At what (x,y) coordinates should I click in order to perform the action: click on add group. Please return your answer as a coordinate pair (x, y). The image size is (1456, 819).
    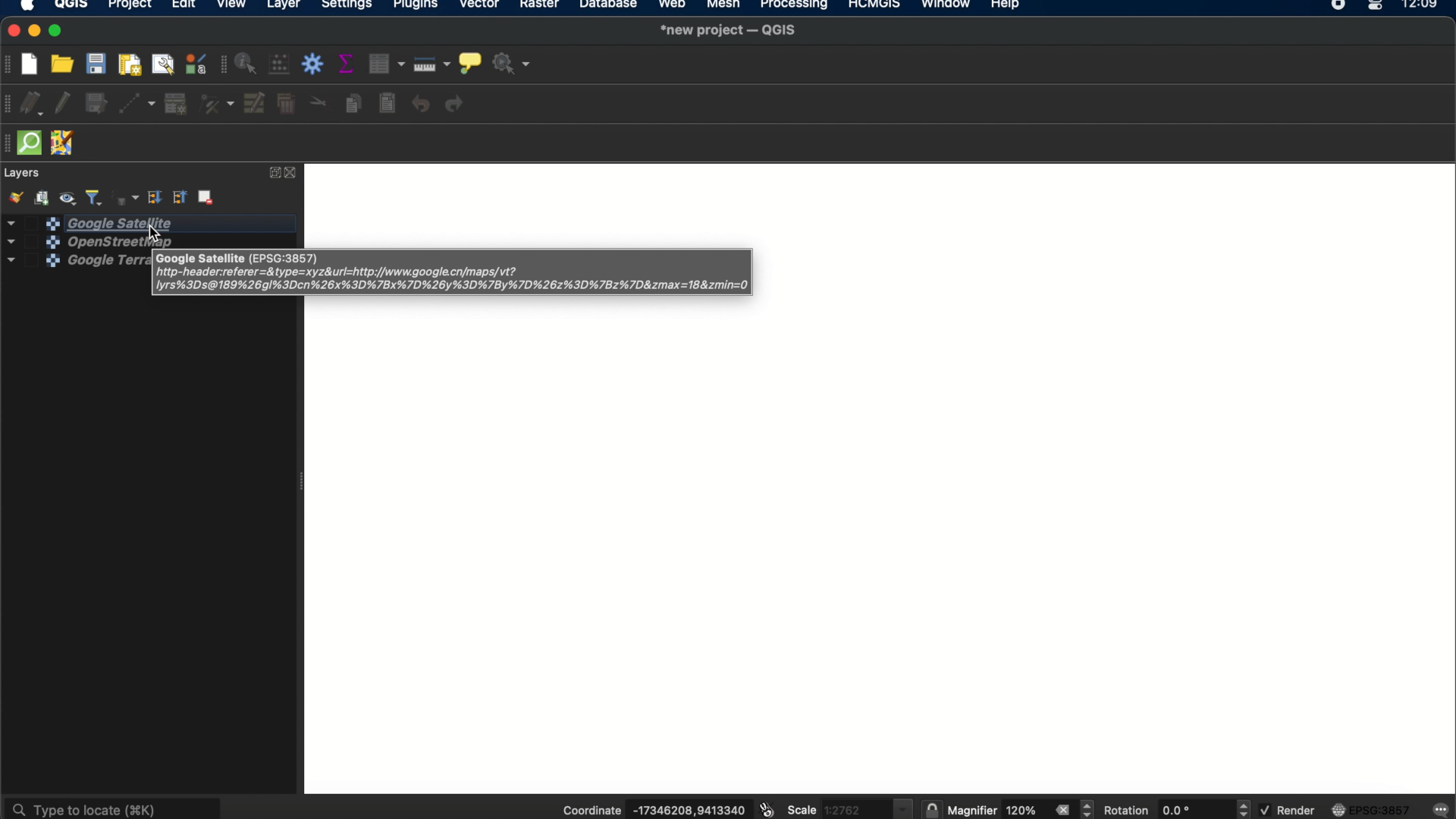
    Looking at the image, I should click on (44, 197).